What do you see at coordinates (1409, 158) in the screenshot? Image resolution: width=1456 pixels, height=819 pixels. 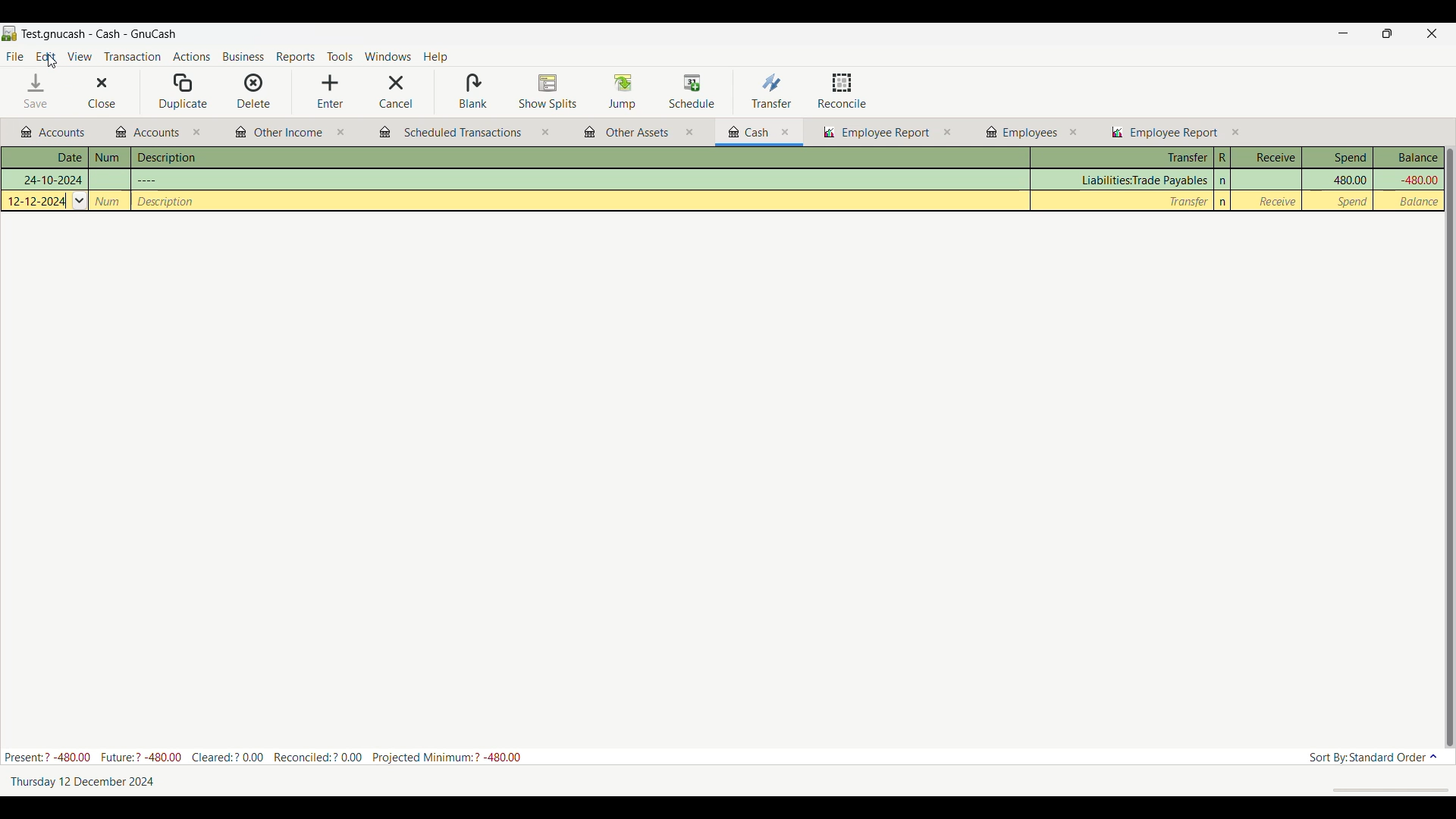 I see `Balance column` at bounding box center [1409, 158].